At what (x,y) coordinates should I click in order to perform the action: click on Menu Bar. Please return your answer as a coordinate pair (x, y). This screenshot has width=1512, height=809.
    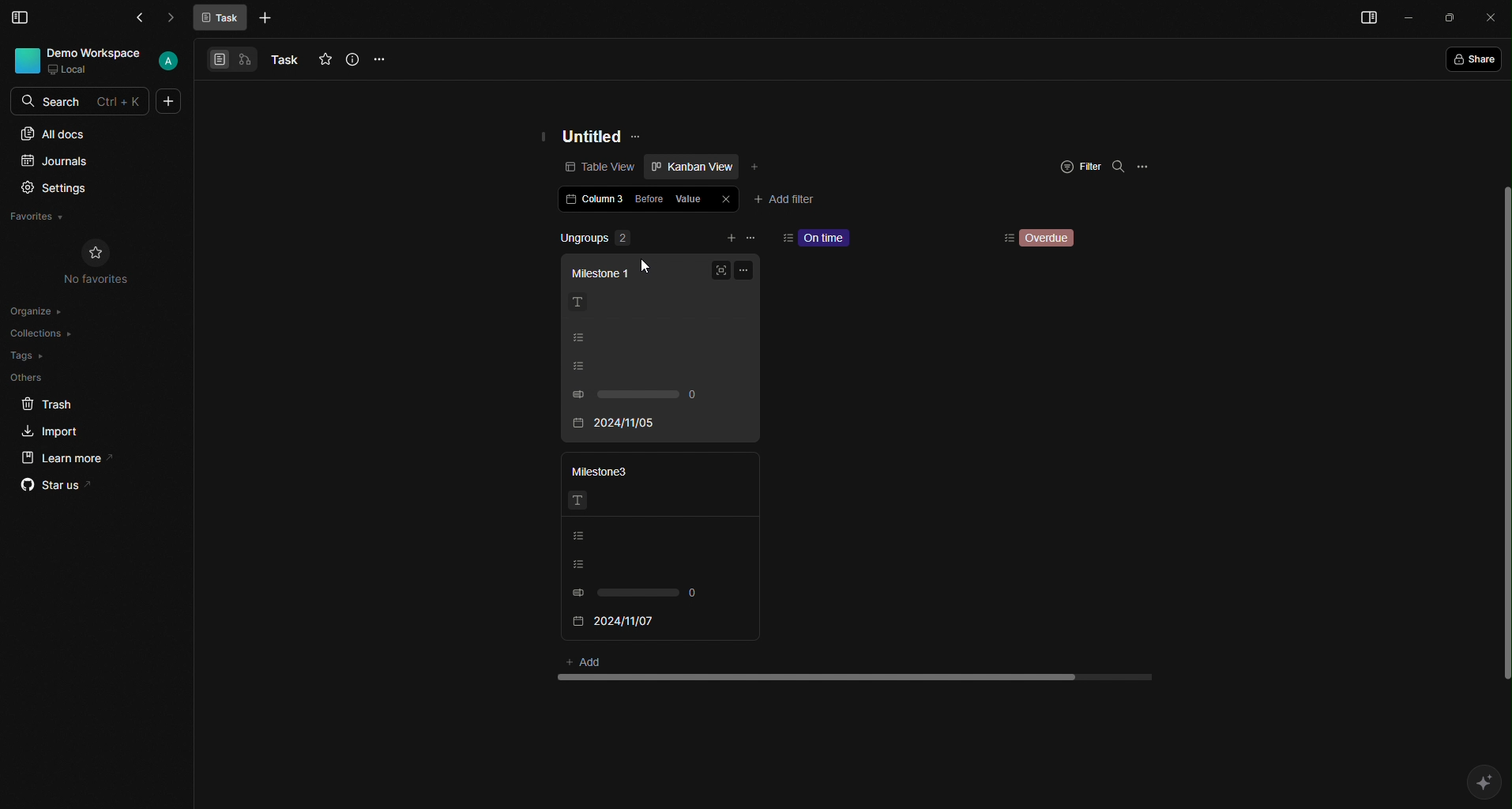
    Looking at the image, I should click on (21, 16).